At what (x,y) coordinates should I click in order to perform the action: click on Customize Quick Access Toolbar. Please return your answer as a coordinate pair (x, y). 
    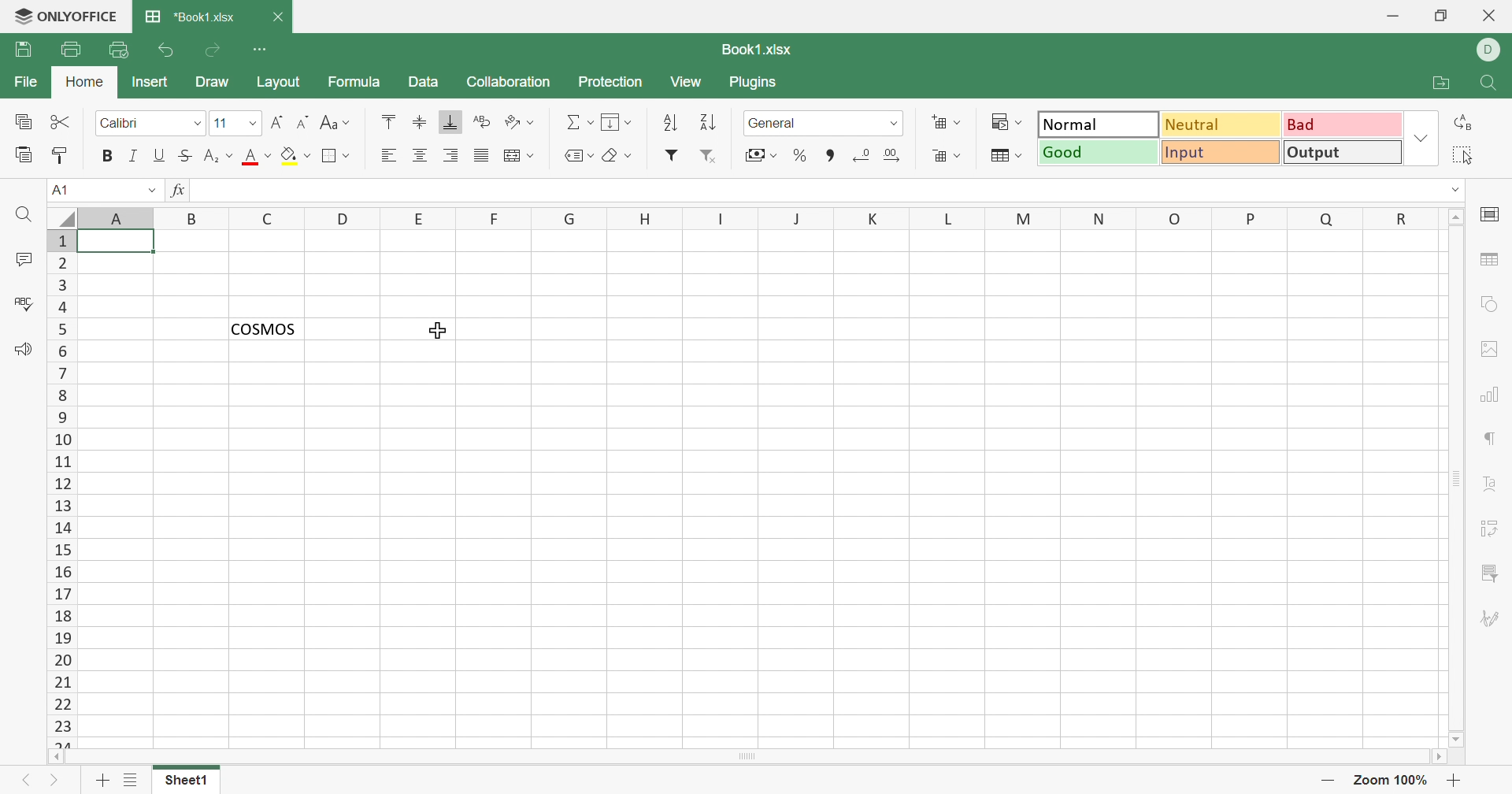
    Looking at the image, I should click on (260, 50).